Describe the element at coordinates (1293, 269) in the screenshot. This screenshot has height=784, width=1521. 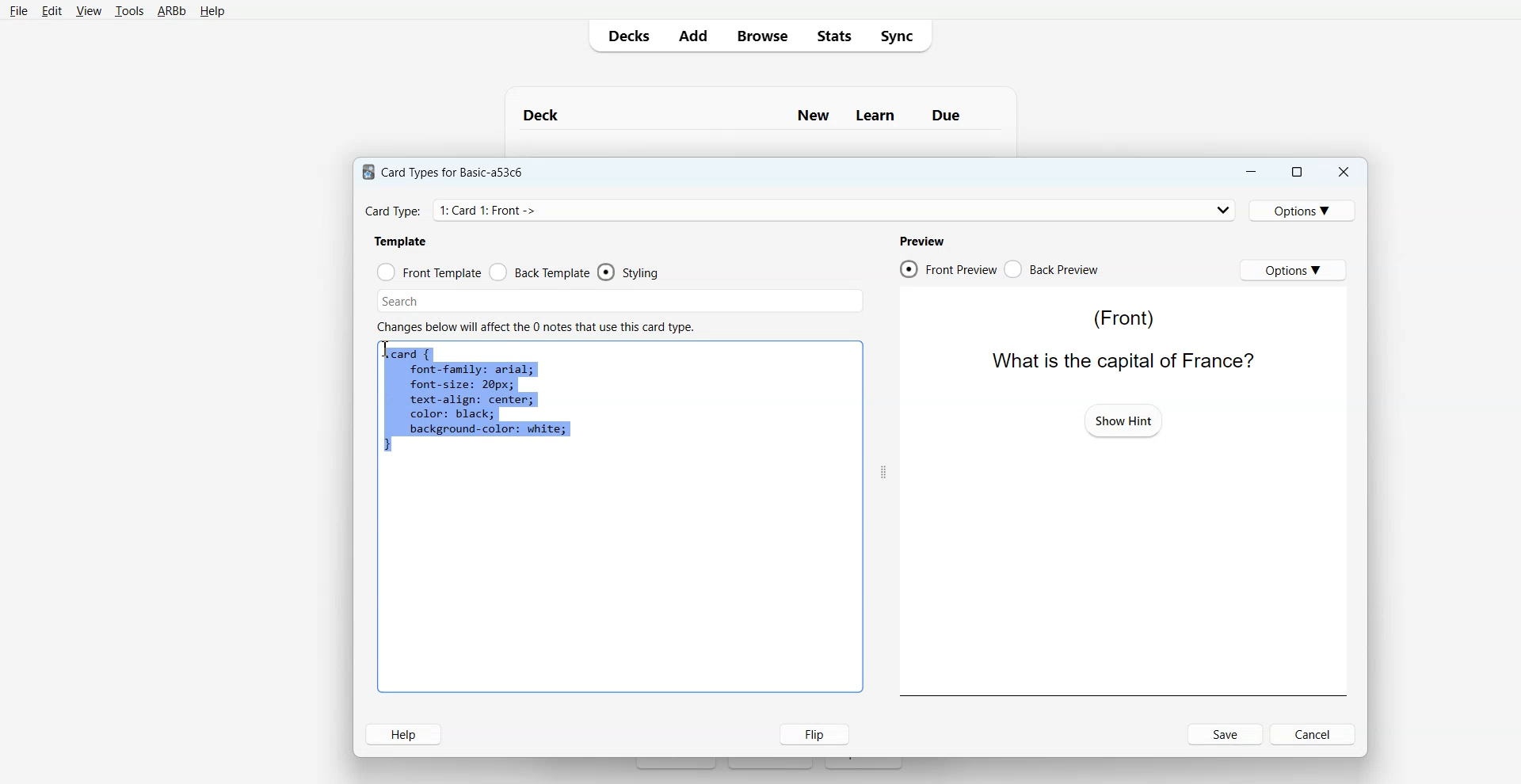
I see `Options` at that location.